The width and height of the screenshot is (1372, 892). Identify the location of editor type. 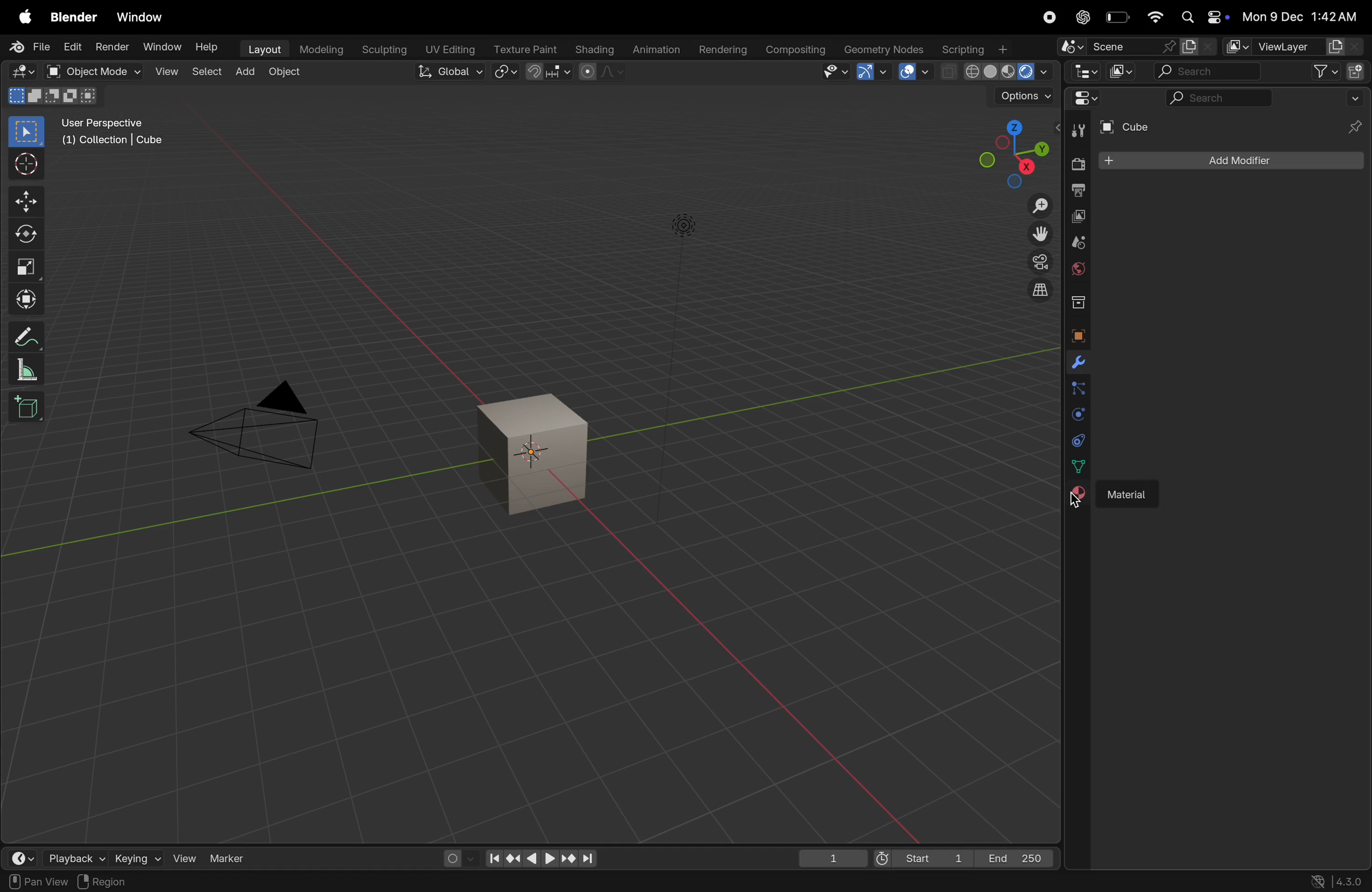
(1084, 70).